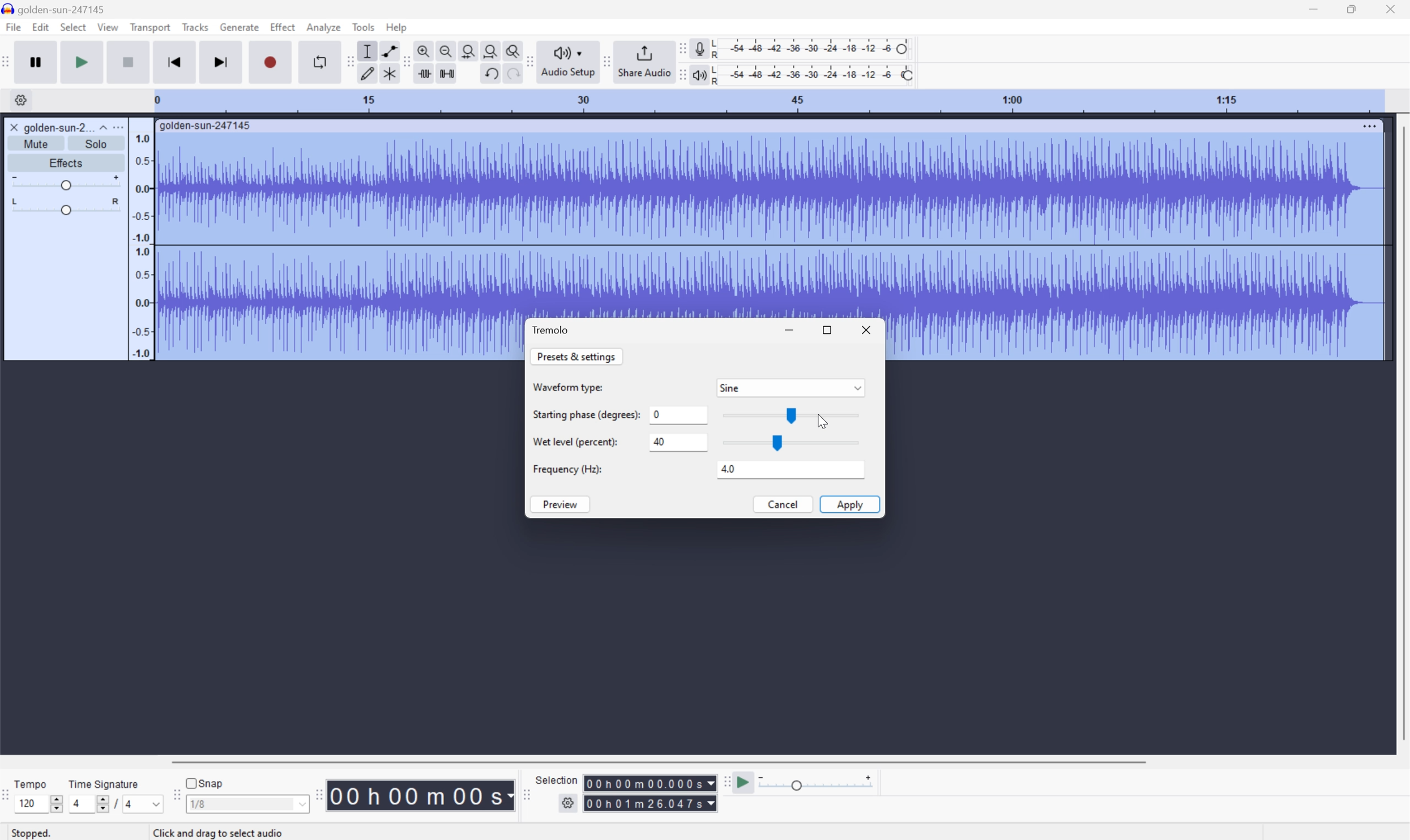 The width and height of the screenshot is (1410, 840). I want to click on Slider, so click(66, 183).